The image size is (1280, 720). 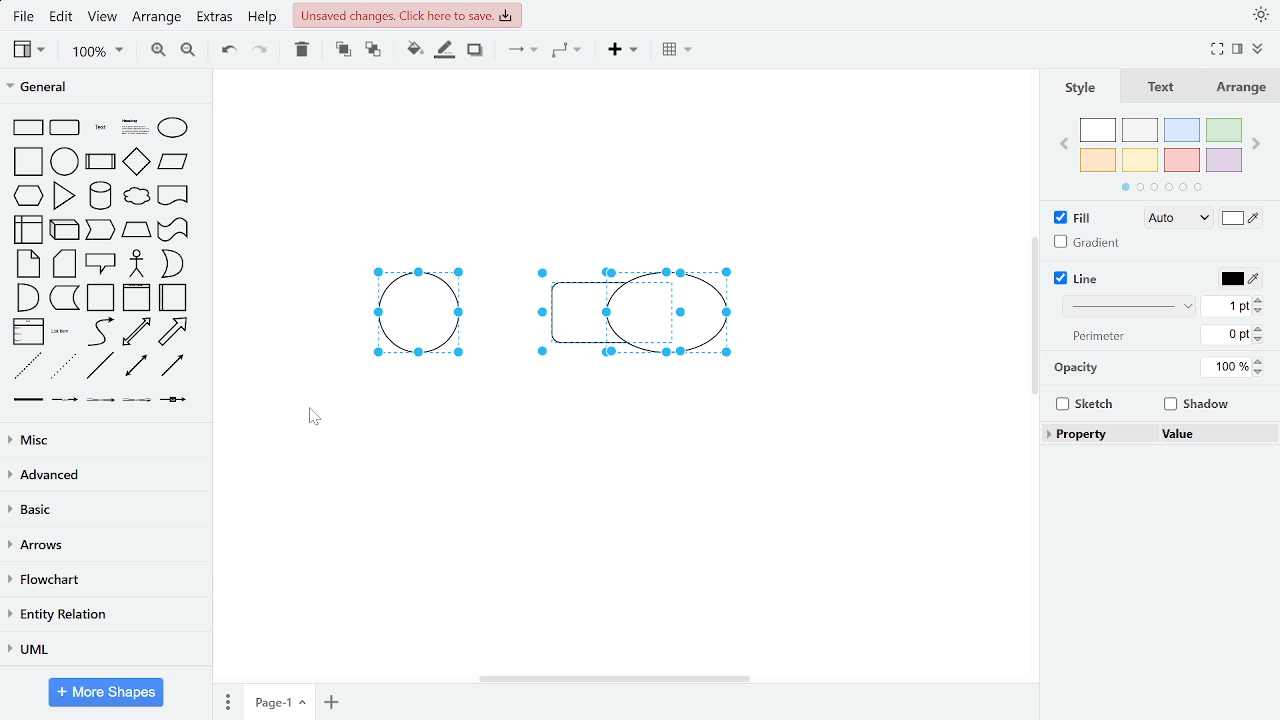 What do you see at coordinates (1126, 307) in the screenshot?
I see `line style` at bounding box center [1126, 307].